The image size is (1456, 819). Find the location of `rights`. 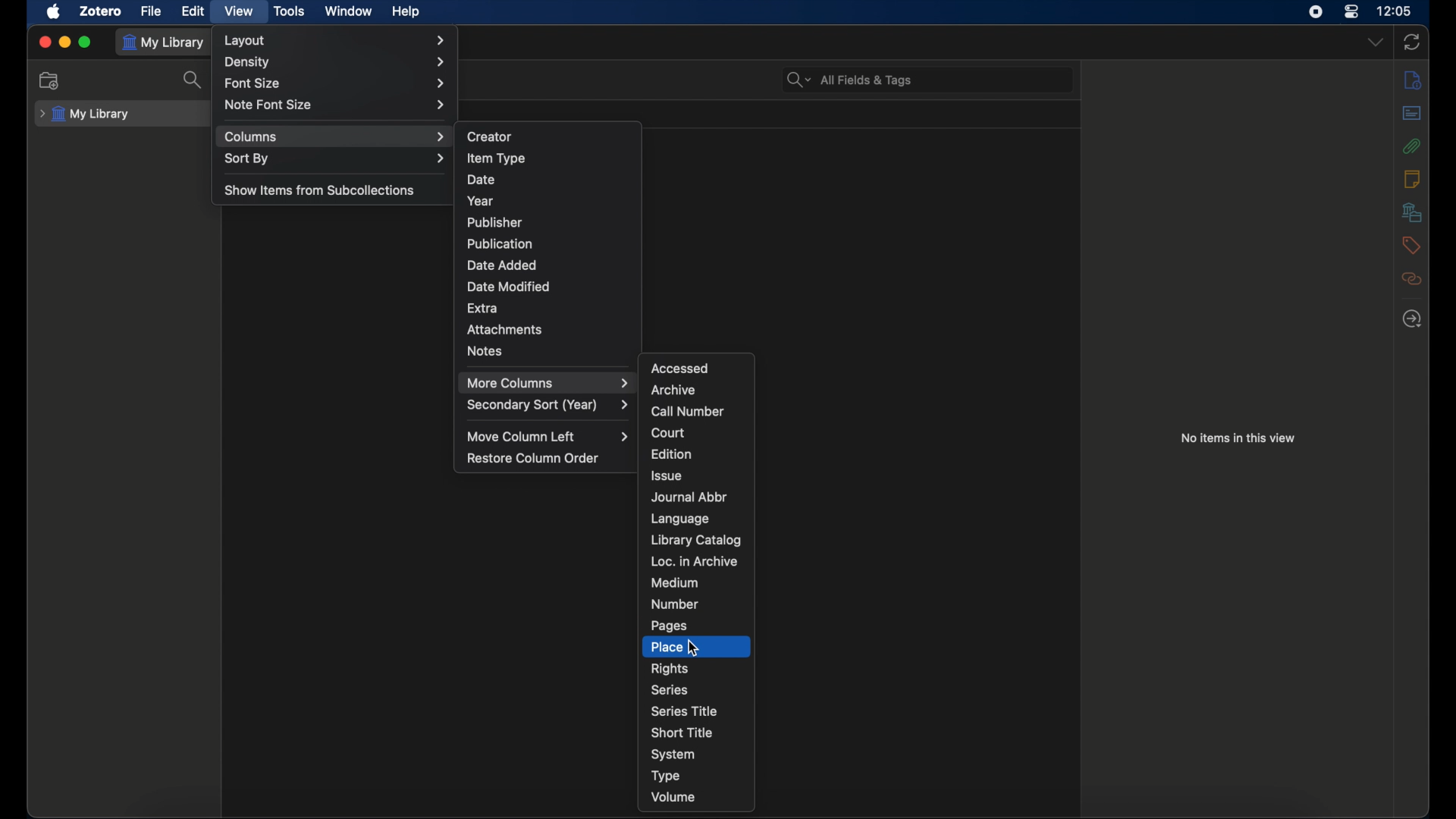

rights is located at coordinates (669, 669).